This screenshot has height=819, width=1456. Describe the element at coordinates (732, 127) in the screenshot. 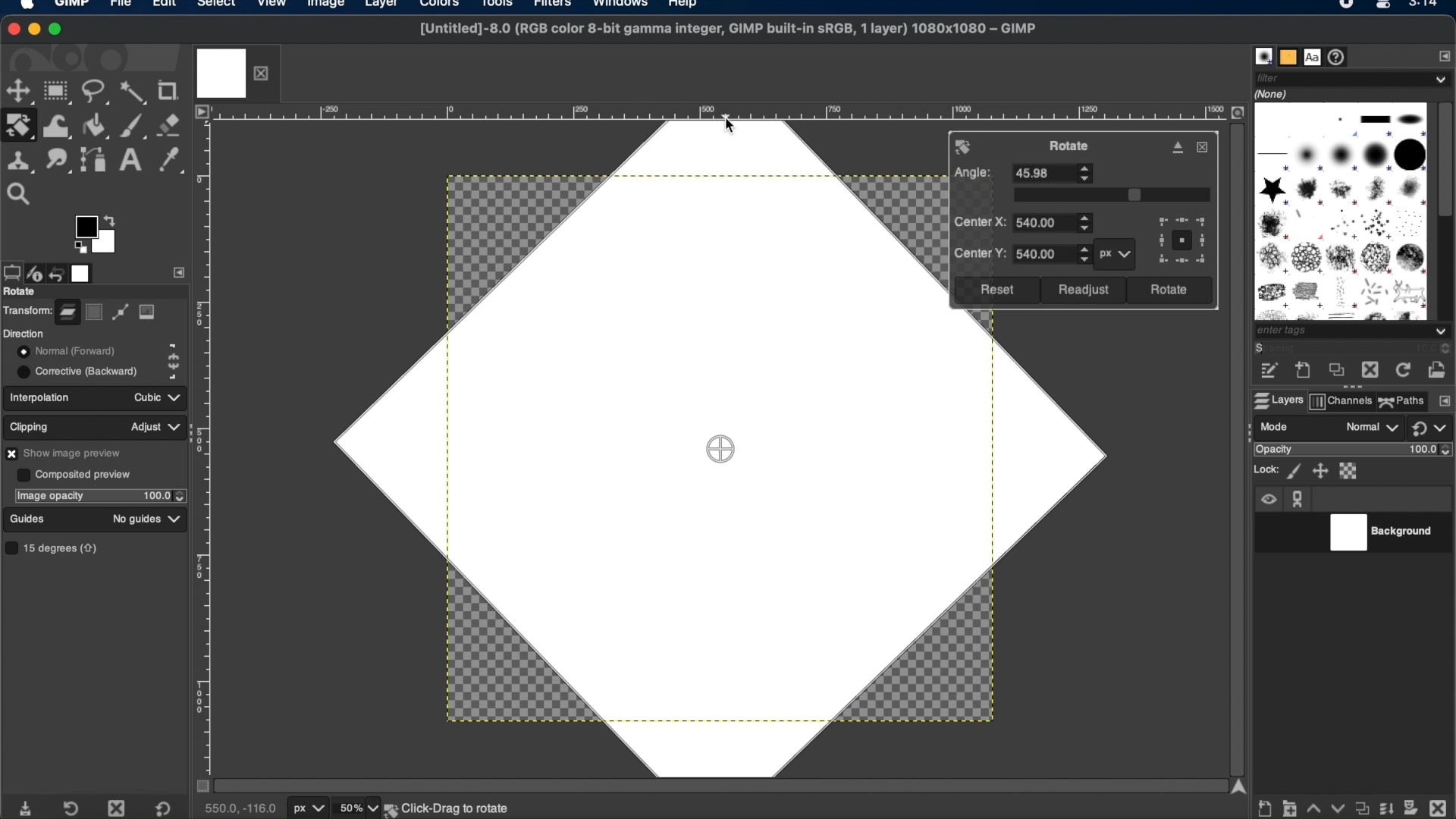

I see `cursor` at that location.